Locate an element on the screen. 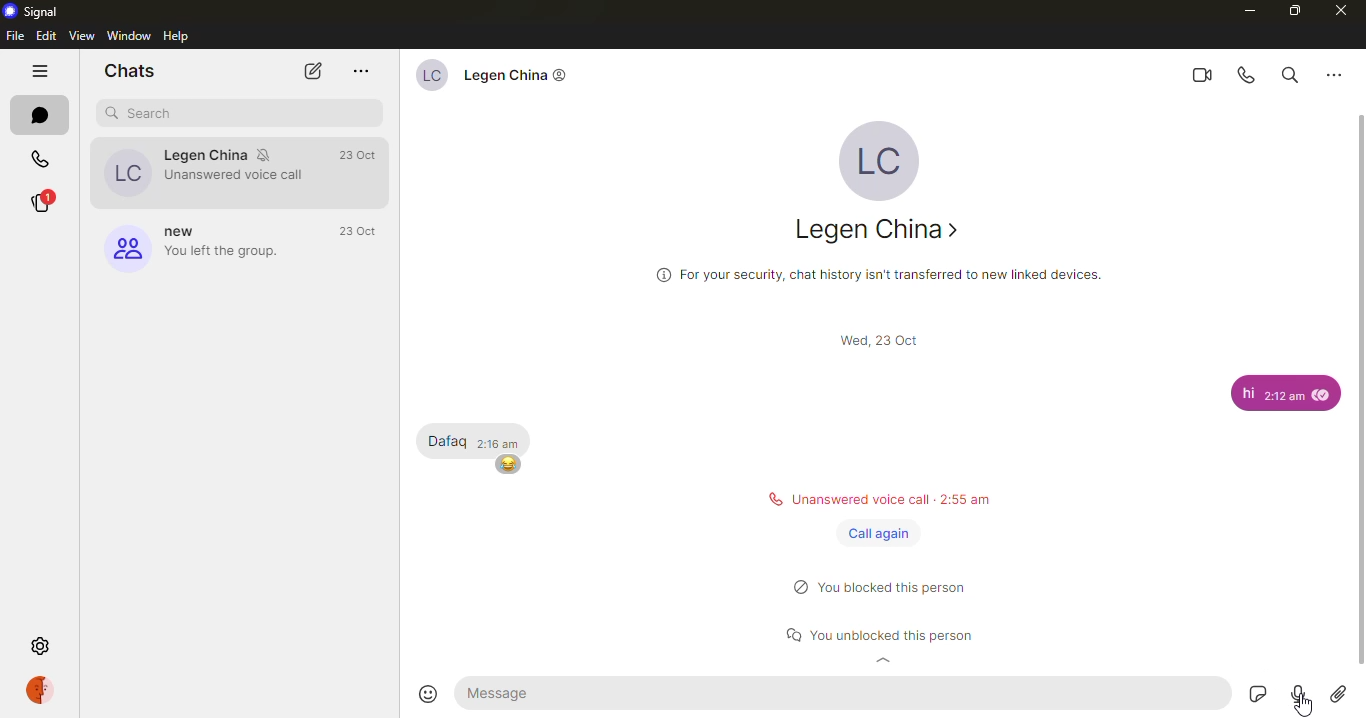 This screenshot has height=718, width=1366. video call is located at coordinates (1204, 73).